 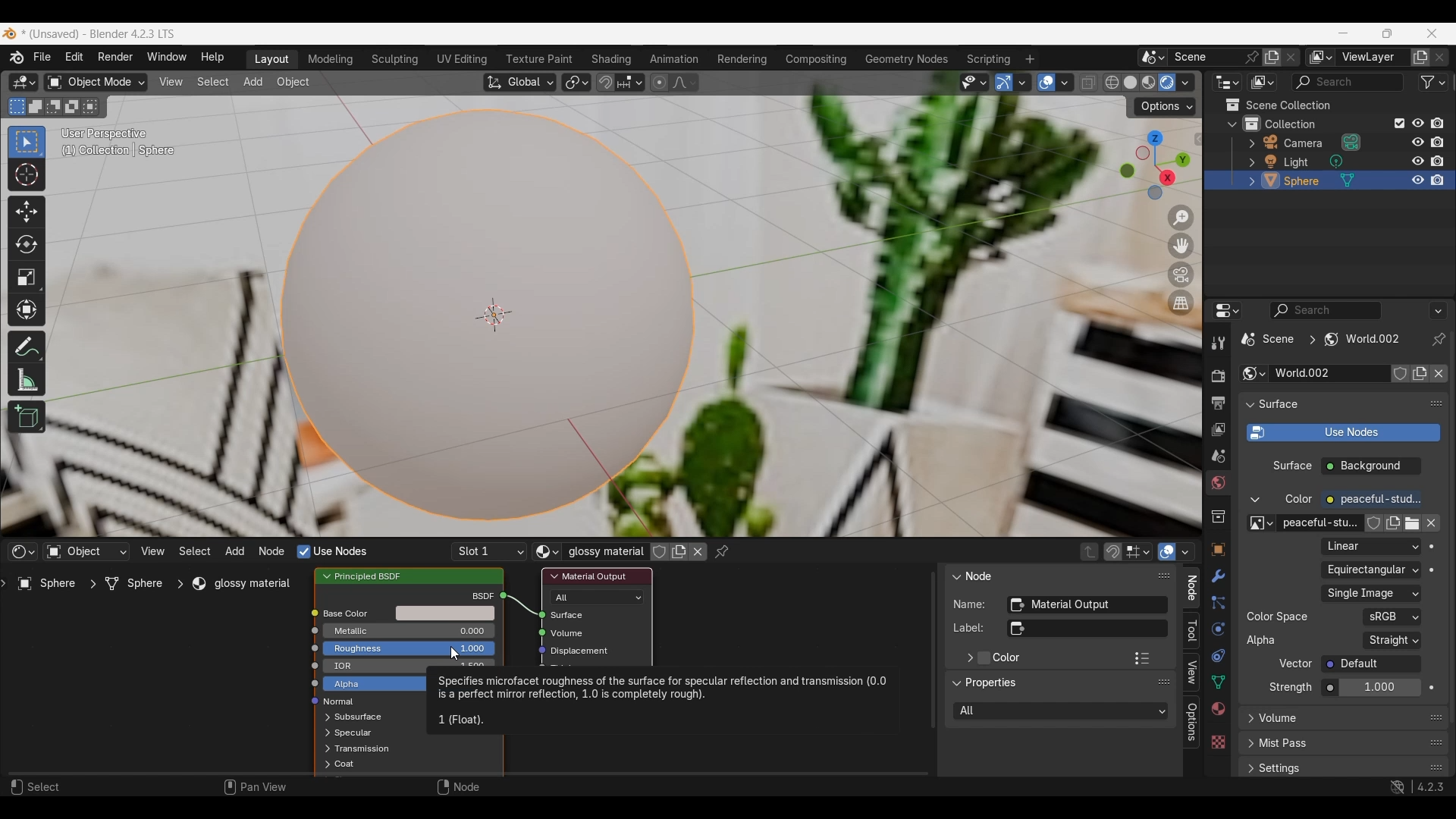 What do you see at coordinates (1443, 180) in the screenshot?
I see `disable all respective renders` at bounding box center [1443, 180].